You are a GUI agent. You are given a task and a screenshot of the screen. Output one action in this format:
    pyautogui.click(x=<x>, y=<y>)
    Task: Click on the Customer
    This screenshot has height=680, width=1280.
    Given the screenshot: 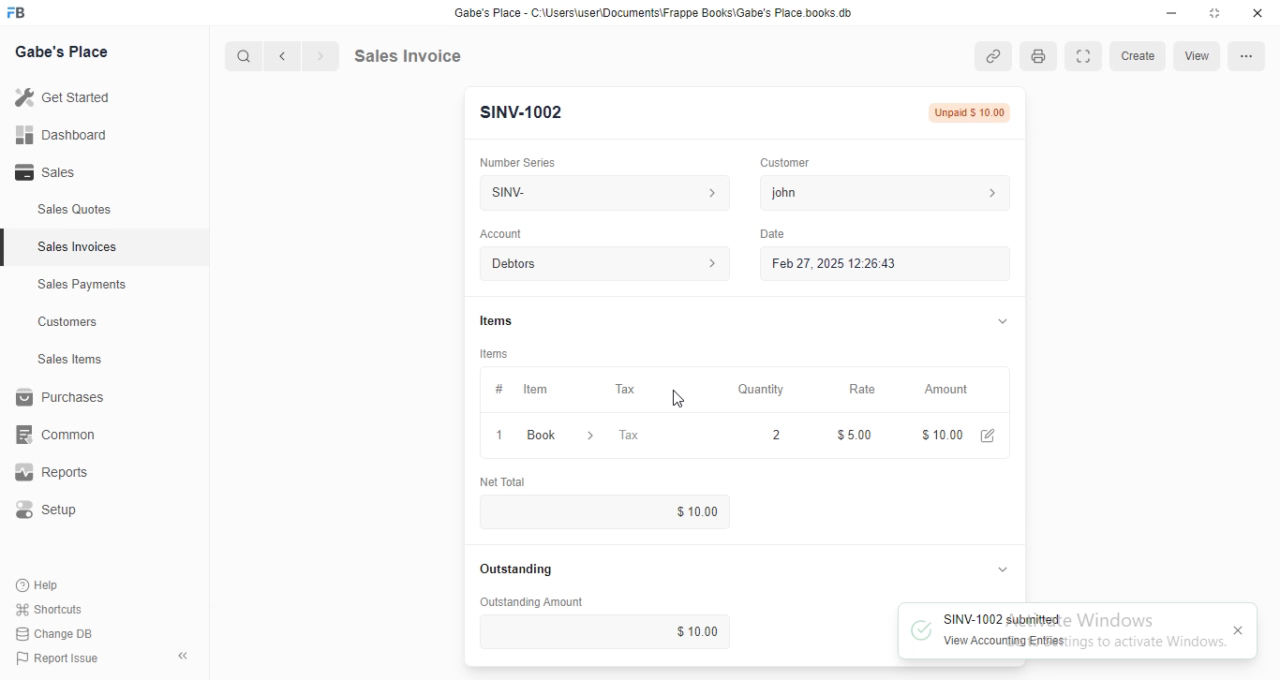 What is the action you would take?
    pyautogui.click(x=784, y=163)
    